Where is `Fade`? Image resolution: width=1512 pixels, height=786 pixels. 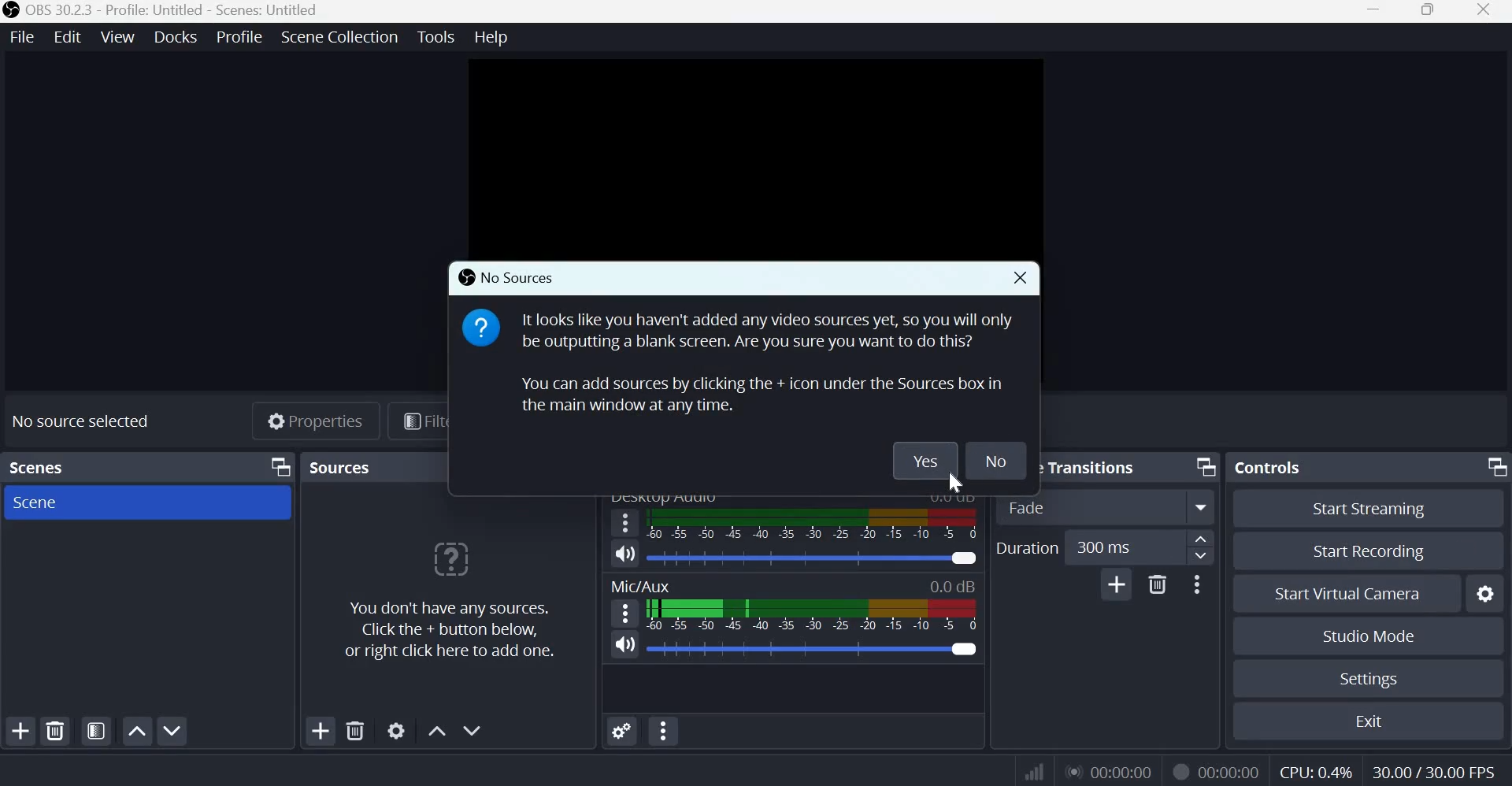
Fade is located at coordinates (1110, 507).